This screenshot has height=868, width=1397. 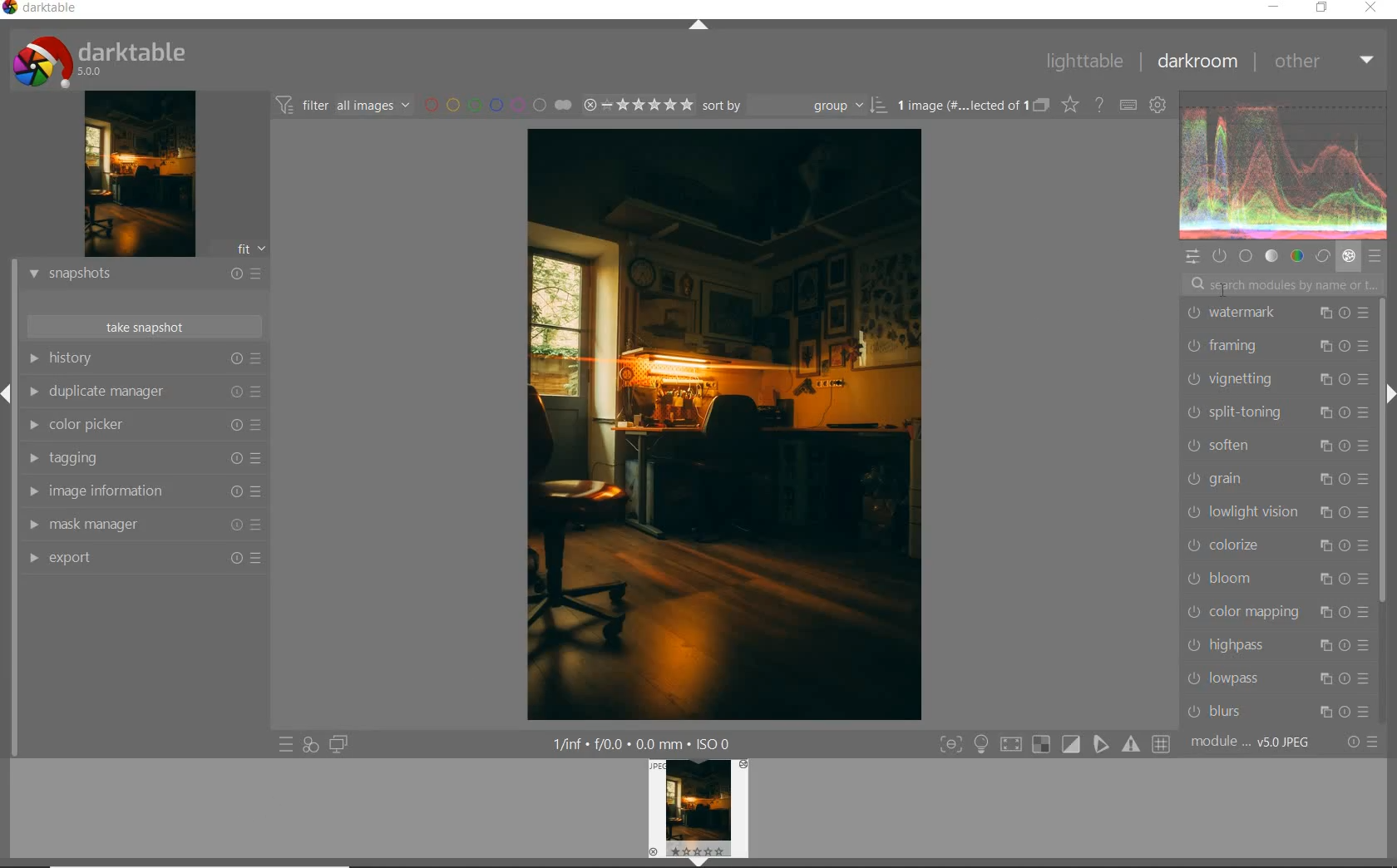 What do you see at coordinates (640, 744) in the screenshot?
I see `other display information` at bounding box center [640, 744].